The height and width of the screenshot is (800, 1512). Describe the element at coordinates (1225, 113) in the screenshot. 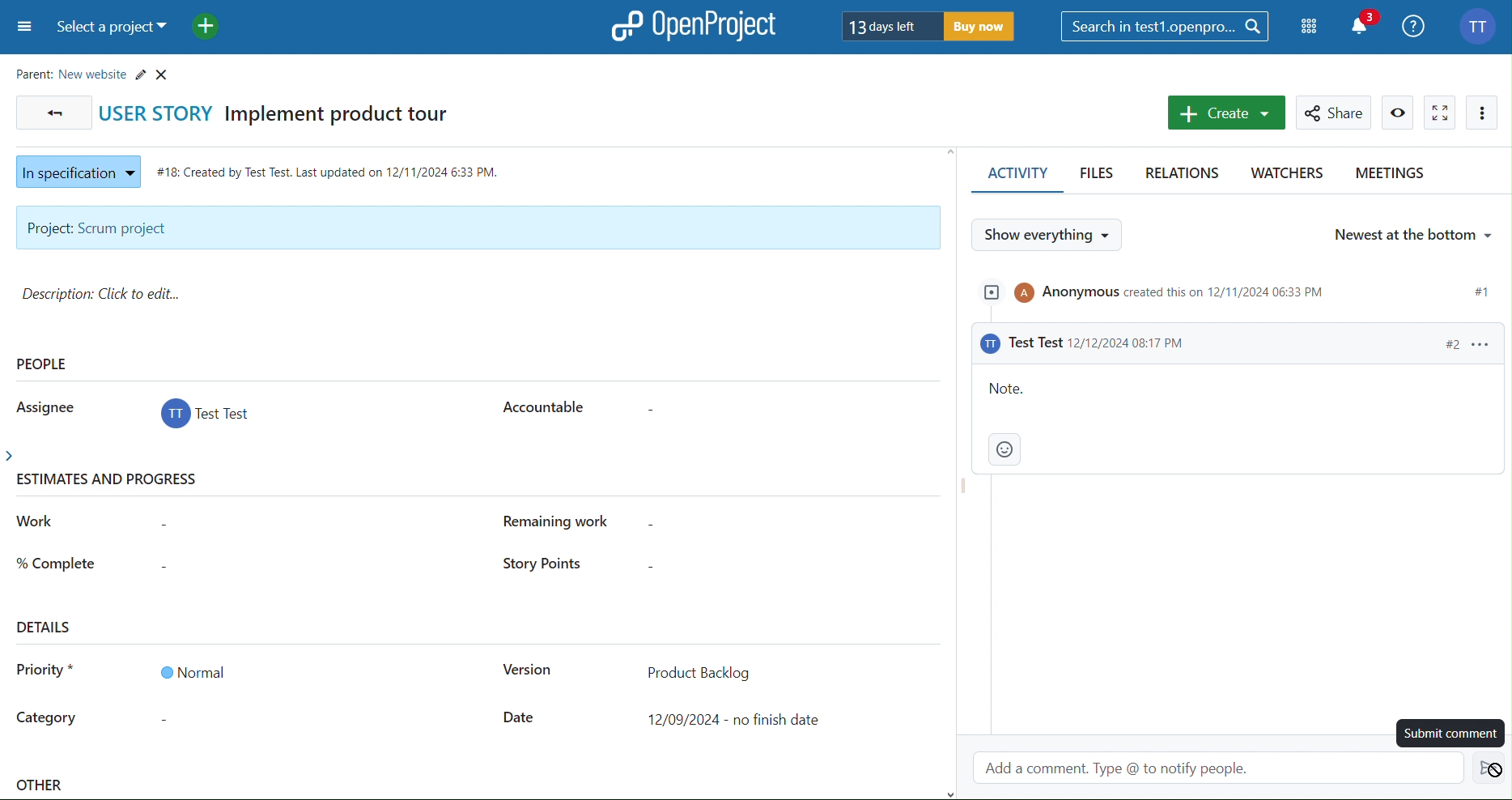

I see `Create` at that location.